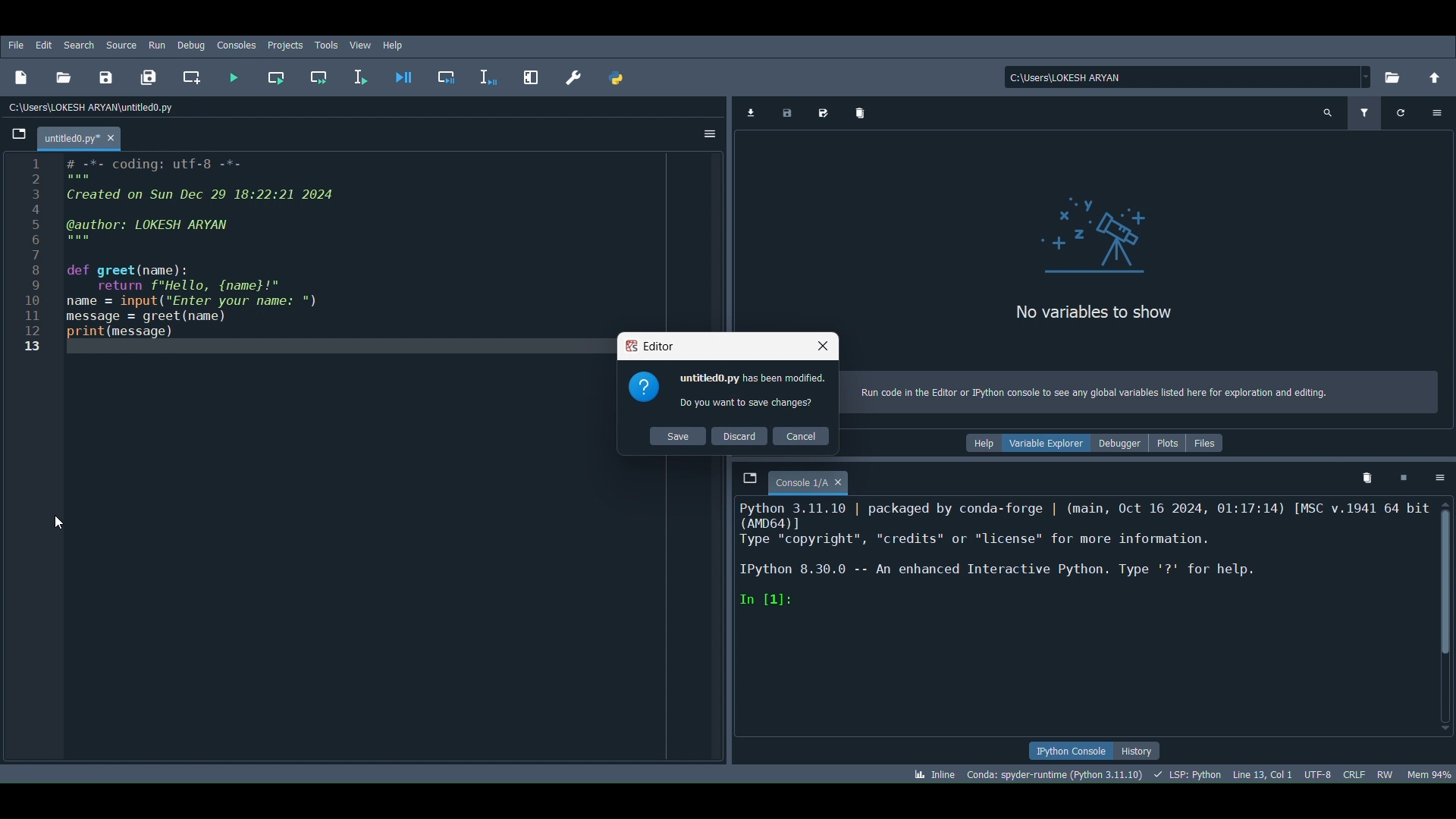 This screenshot has height=819, width=1456. I want to click on Scrollbar, so click(1442, 618).